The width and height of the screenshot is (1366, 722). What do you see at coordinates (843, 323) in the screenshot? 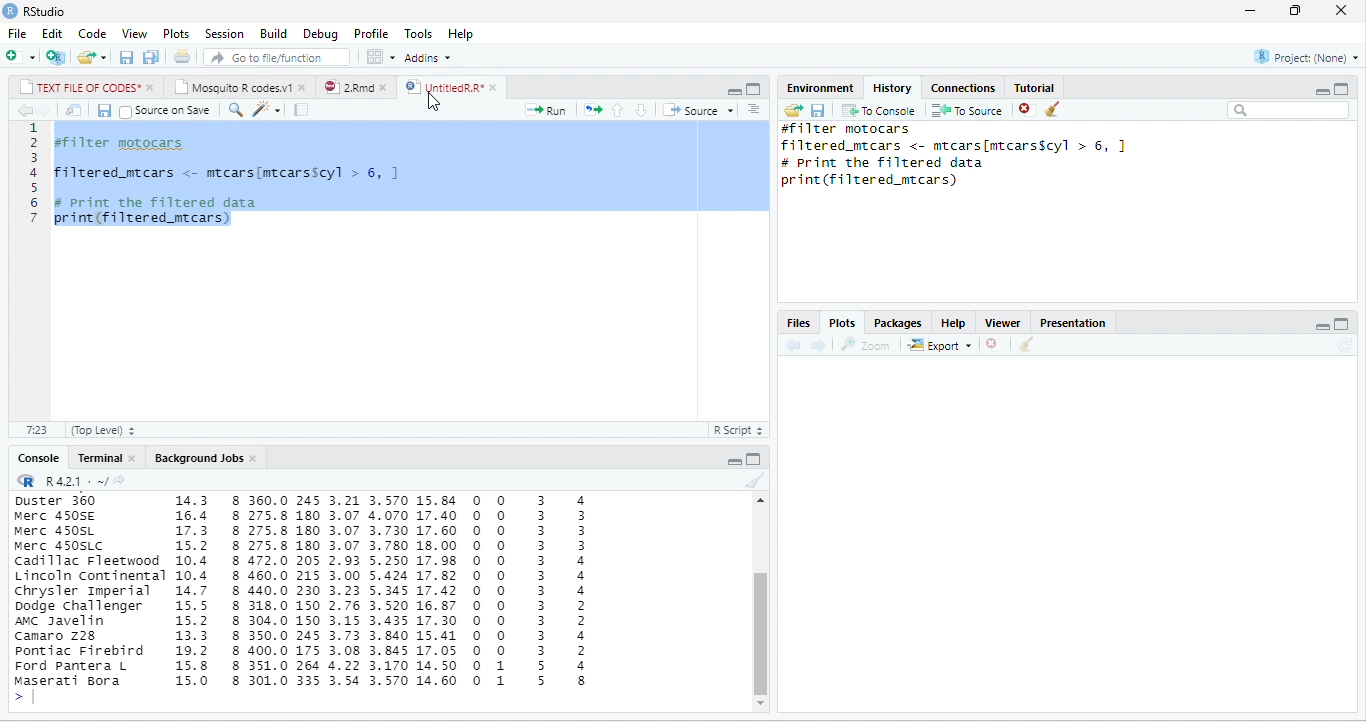
I see `Plots` at bounding box center [843, 323].